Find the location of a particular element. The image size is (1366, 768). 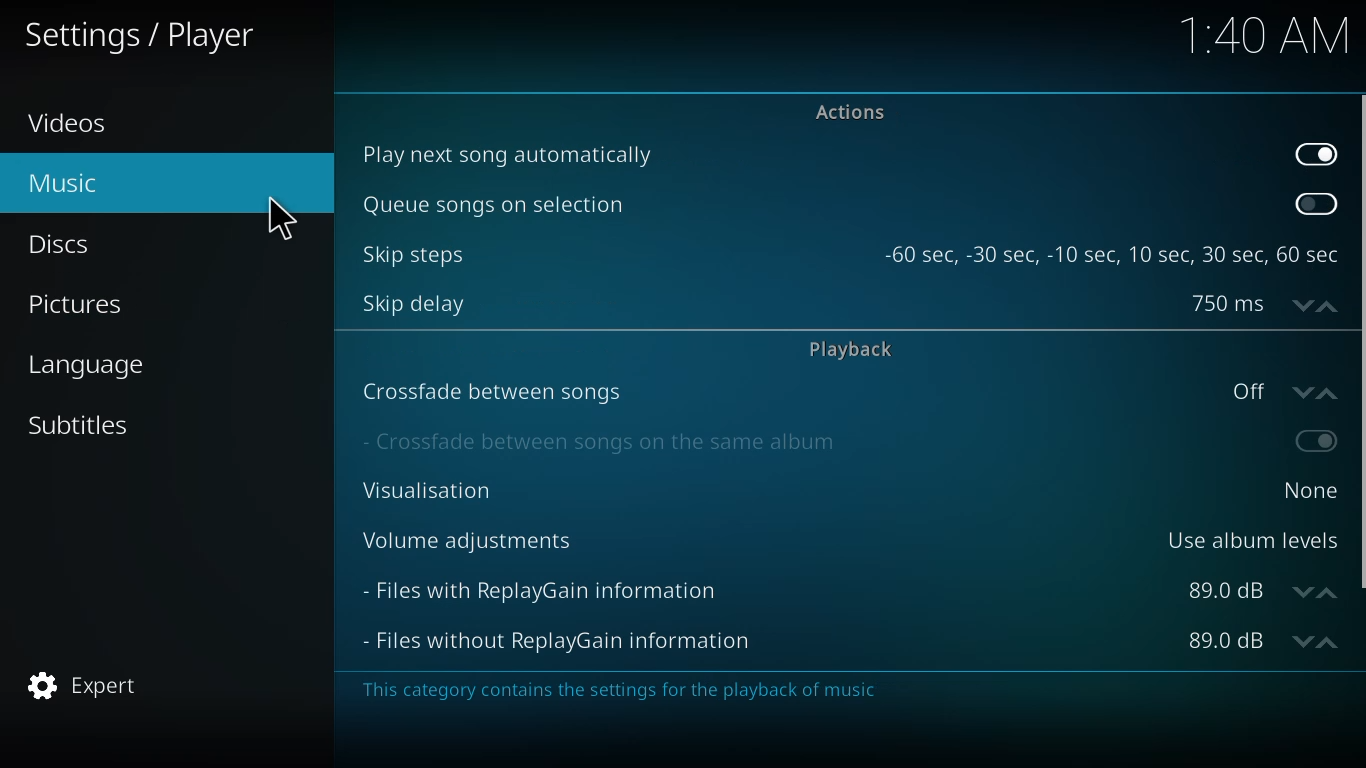

pictures is located at coordinates (79, 306).